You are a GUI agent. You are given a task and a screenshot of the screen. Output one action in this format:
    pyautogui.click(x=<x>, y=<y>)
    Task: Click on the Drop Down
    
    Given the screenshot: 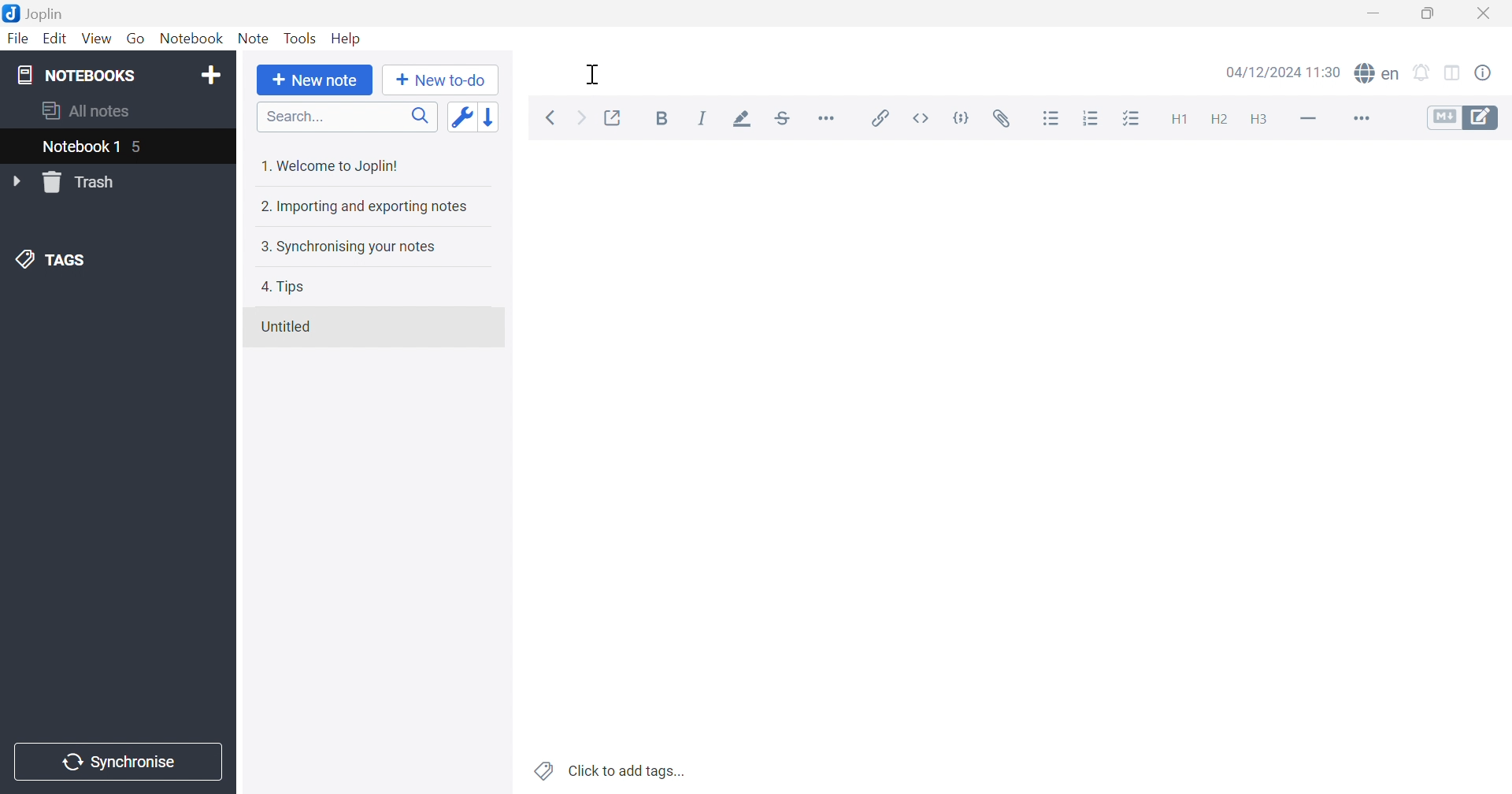 What is the action you would take?
    pyautogui.click(x=17, y=180)
    